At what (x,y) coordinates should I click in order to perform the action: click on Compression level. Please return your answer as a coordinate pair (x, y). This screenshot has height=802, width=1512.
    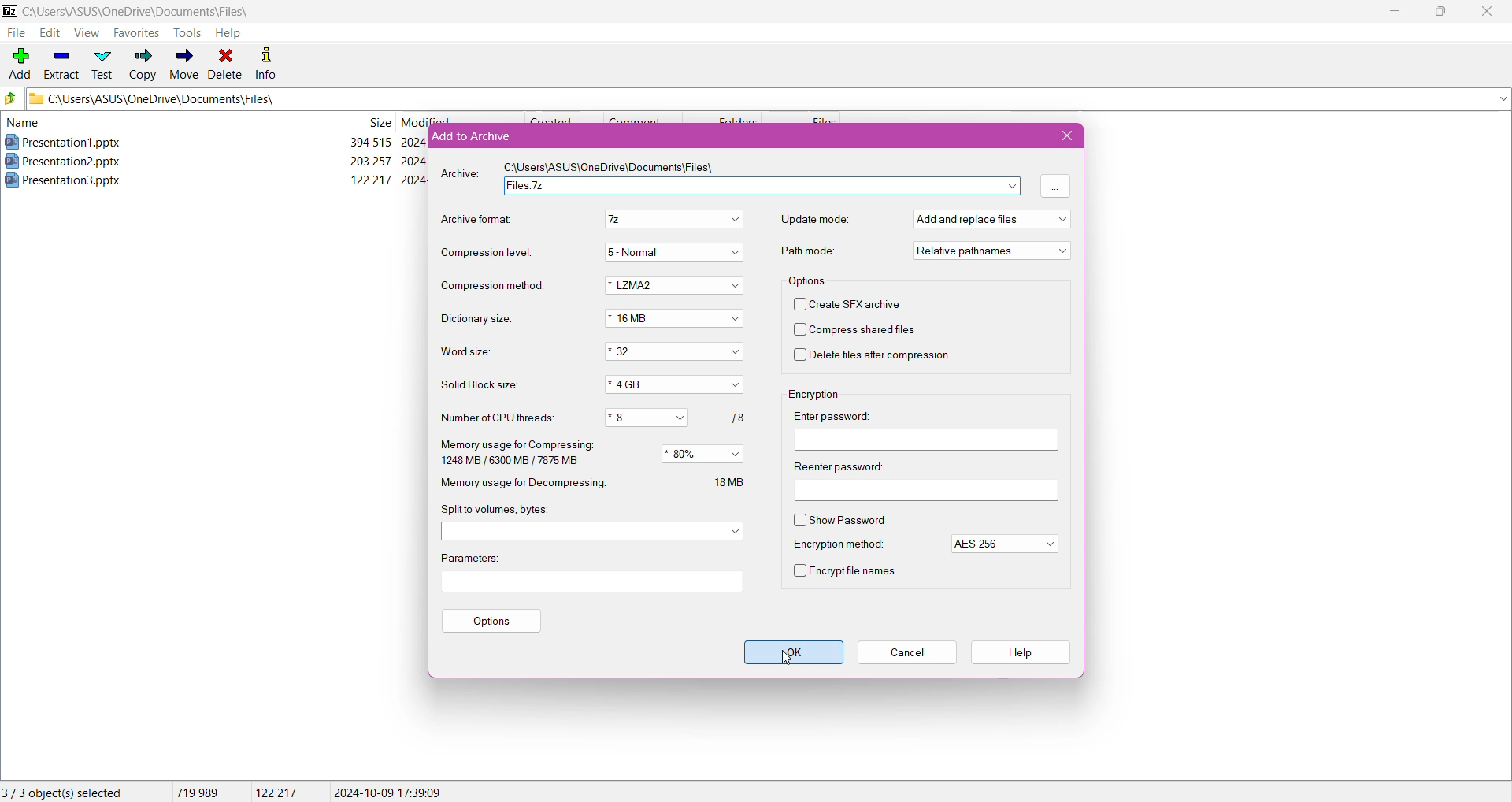
    Looking at the image, I should click on (482, 251).